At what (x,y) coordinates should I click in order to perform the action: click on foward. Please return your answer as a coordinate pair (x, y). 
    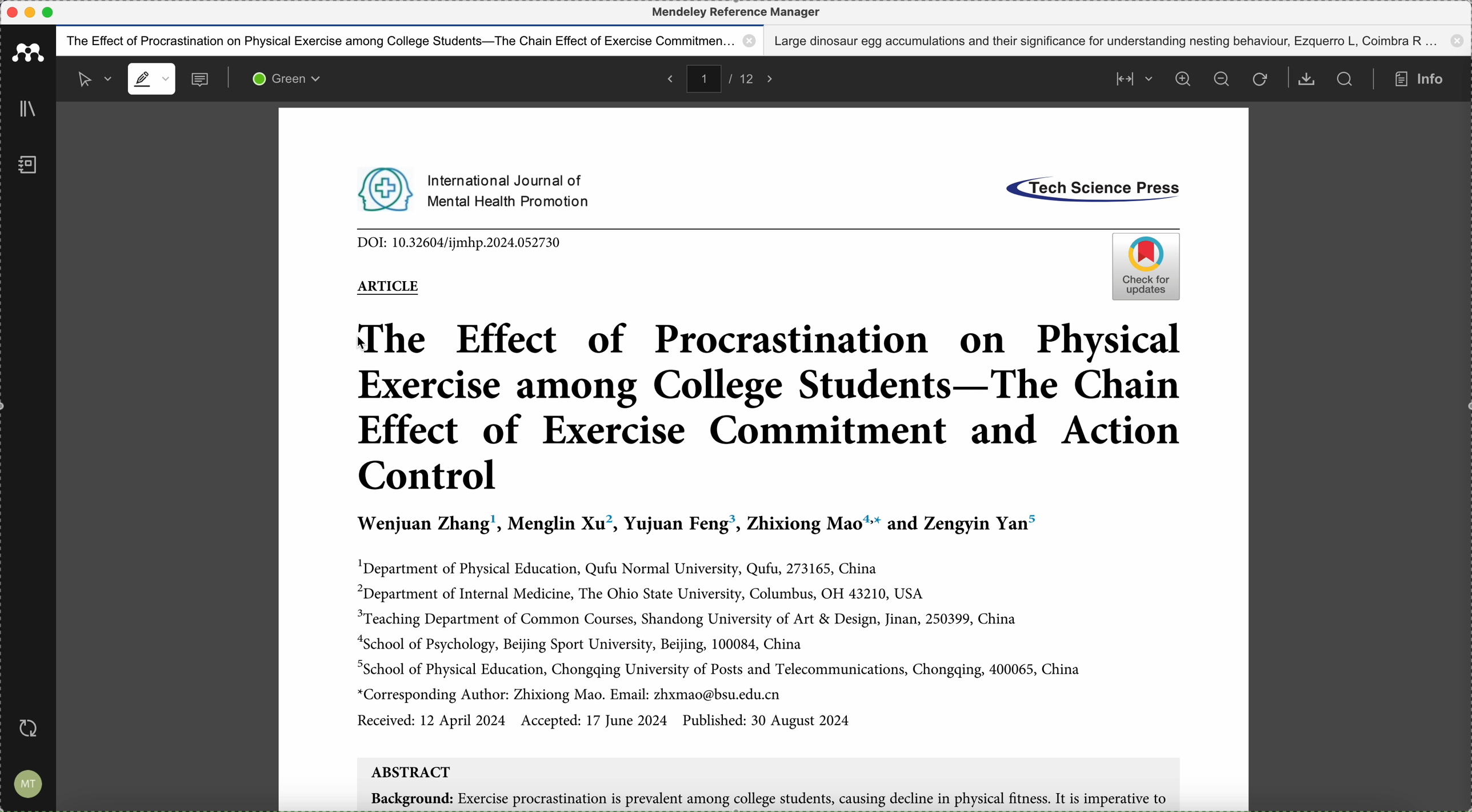
    Looking at the image, I should click on (774, 78).